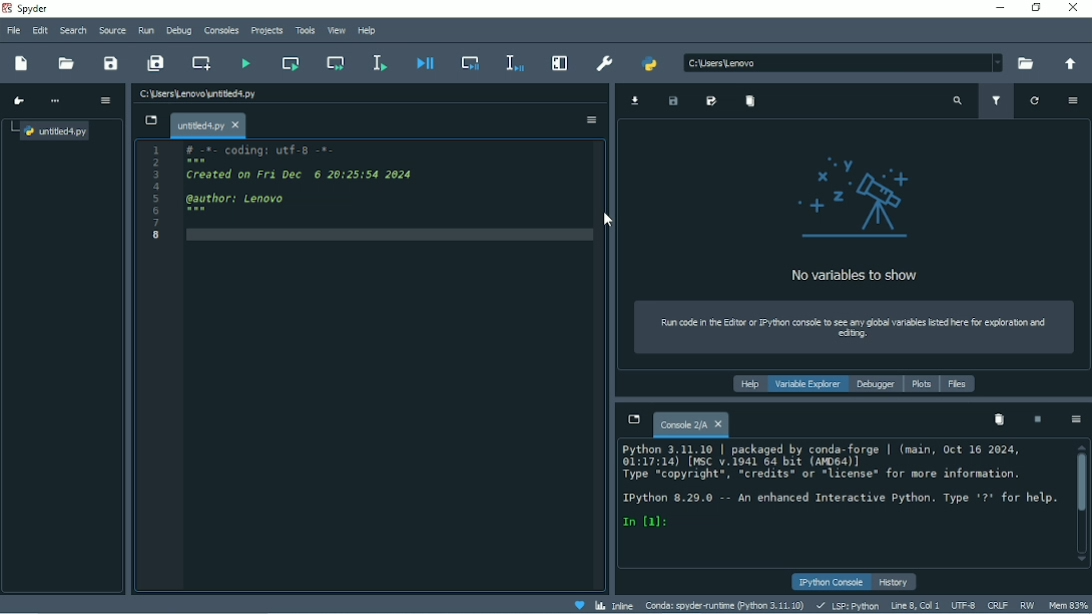 This screenshot has height=614, width=1092. Describe the element at coordinates (748, 384) in the screenshot. I see `Help` at that location.